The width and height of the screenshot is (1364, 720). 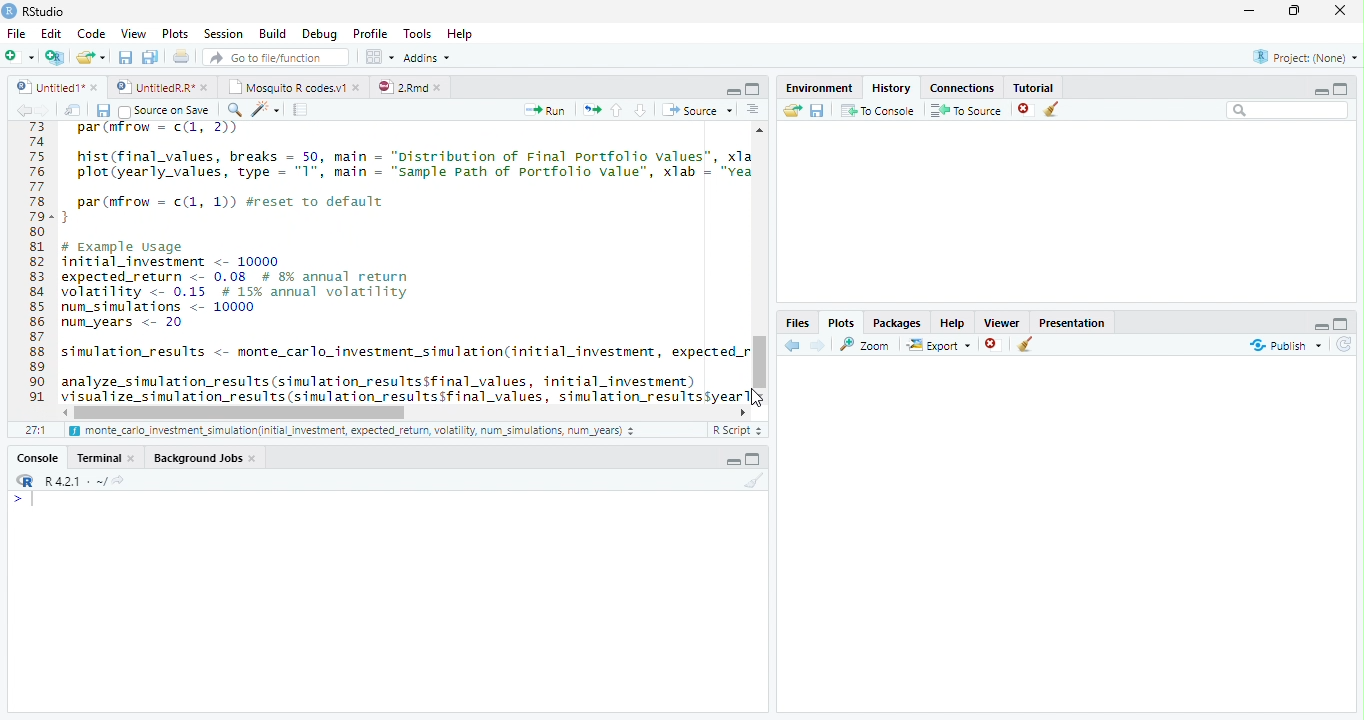 I want to click on Search, so click(x=1288, y=110).